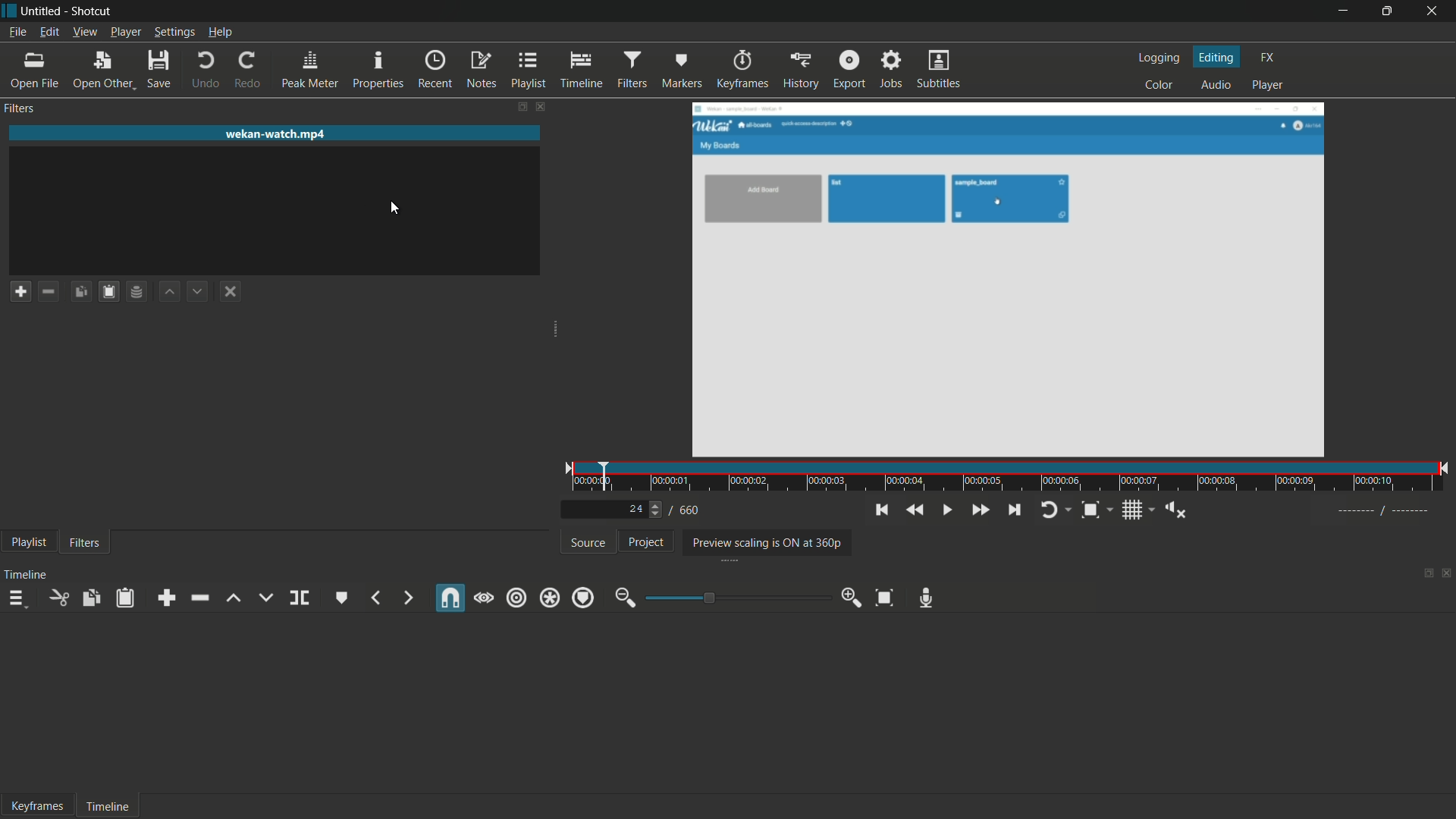 This screenshot has height=819, width=1456. I want to click on copy checked filters, so click(78, 292).